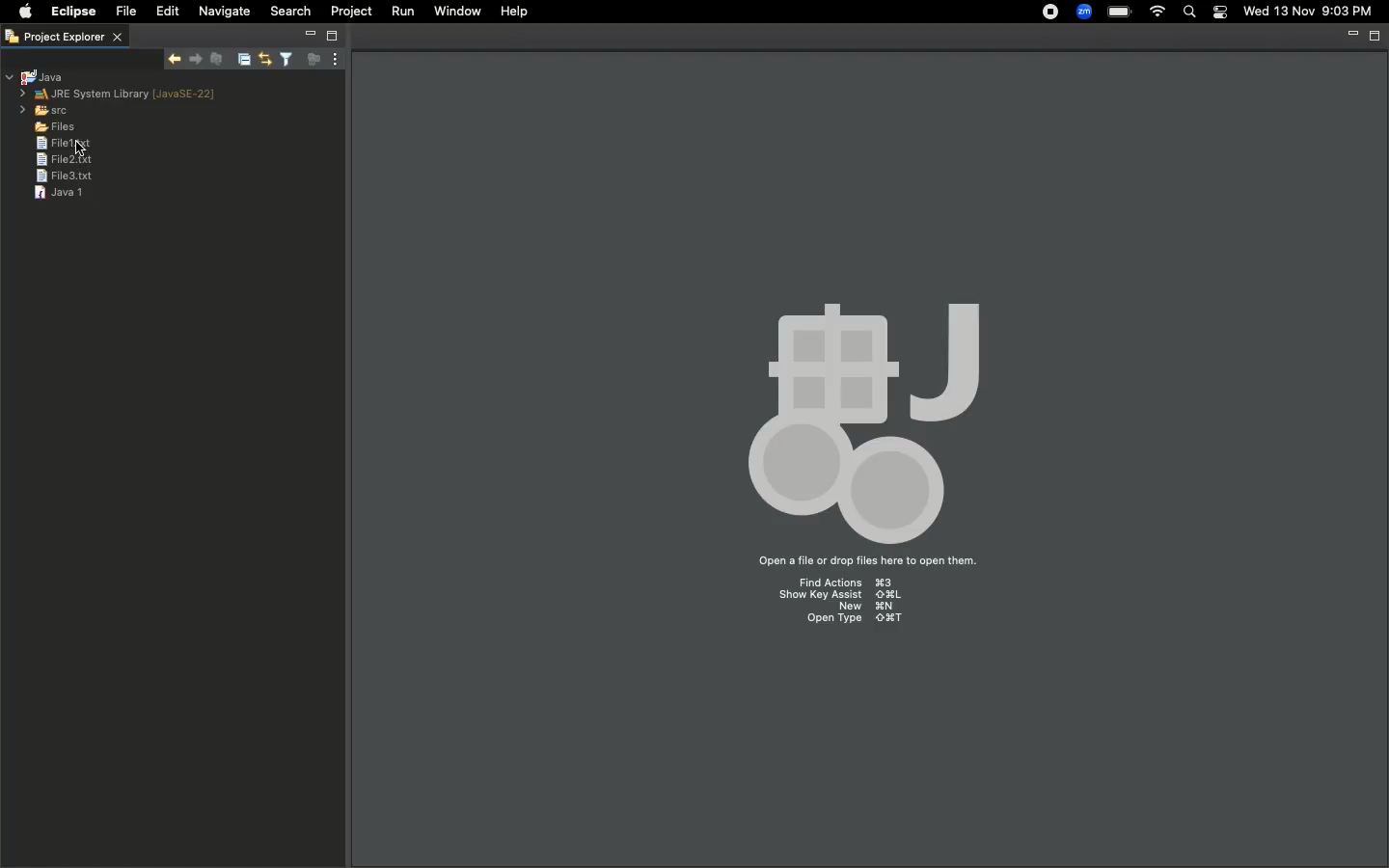 The width and height of the screenshot is (1389, 868). What do you see at coordinates (263, 60) in the screenshot?
I see `Link with editor` at bounding box center [263, 60].